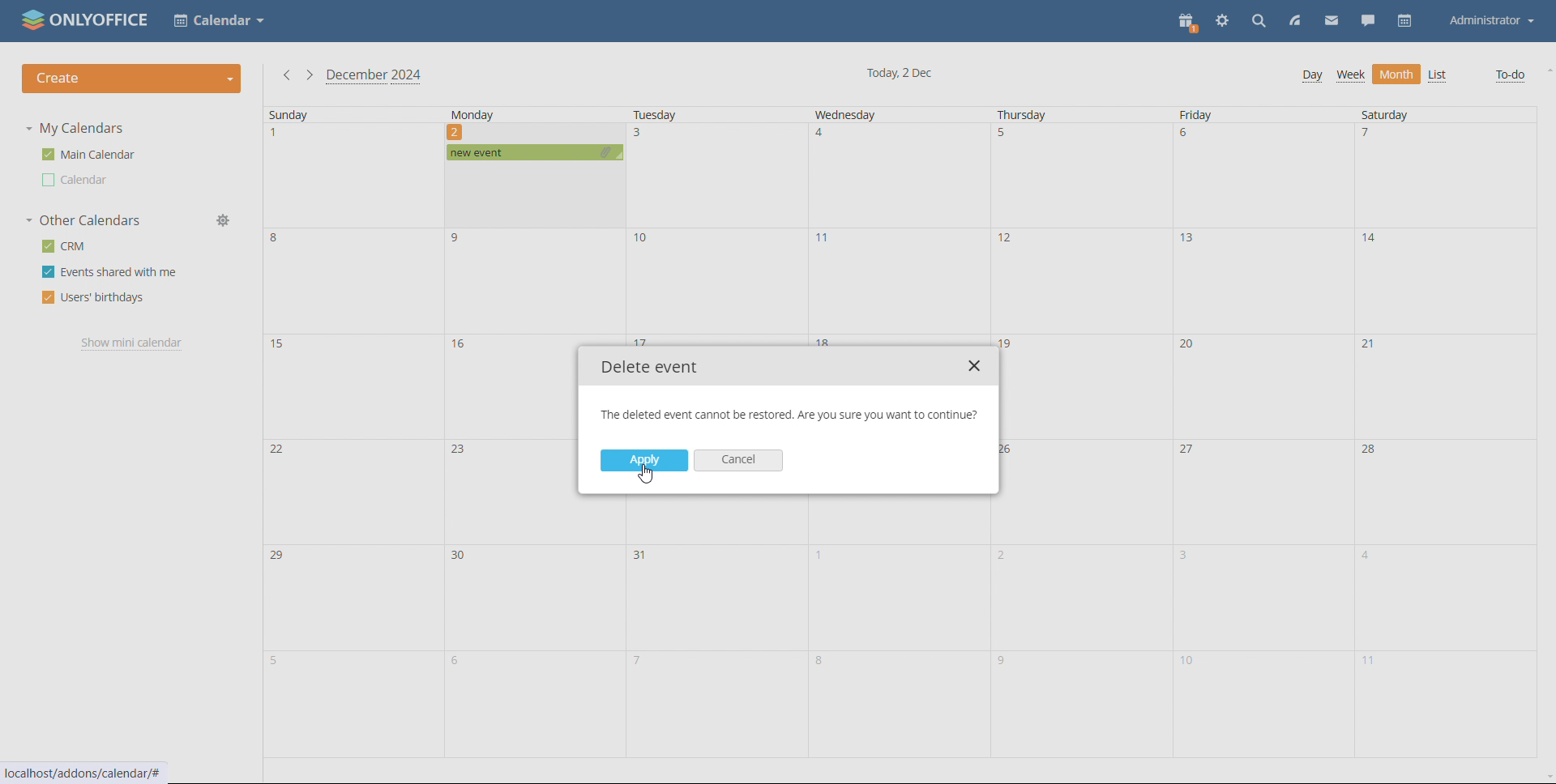 Image resolution: width=1556 pixels, height=784 pixels. Describe the element at coordinates (737, 460) in the screenshot. I see `Cancel` at that location.